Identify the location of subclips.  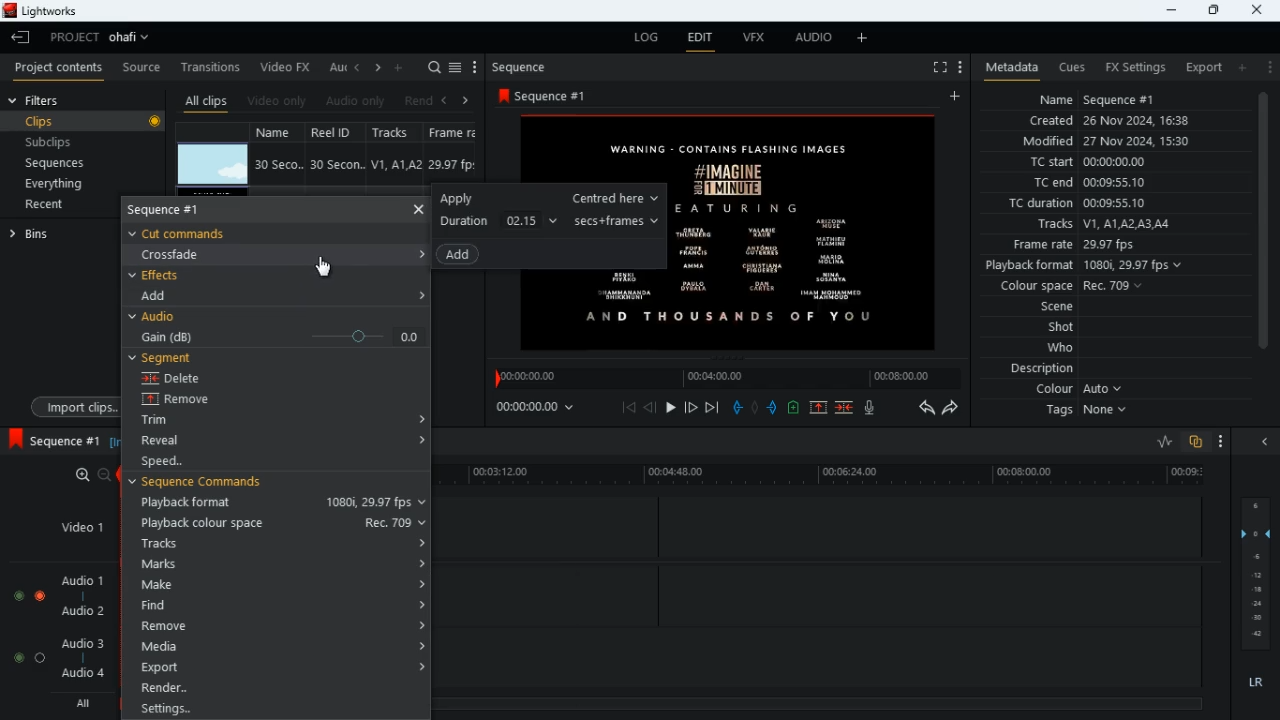
(51, 145).